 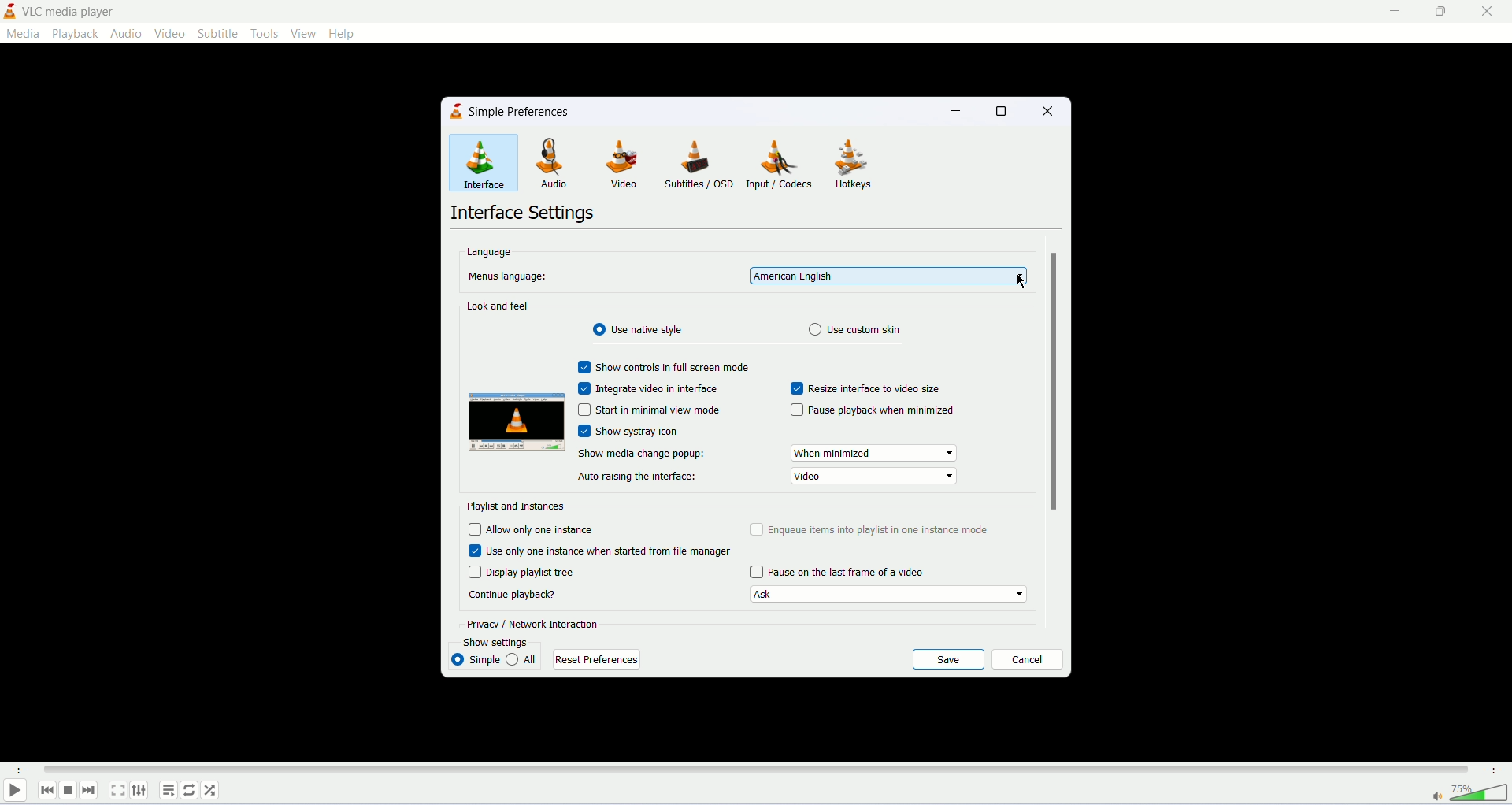 What do you see at coordinates (856, 329) in the screenshot?
I see `use custom skin` at bounding box center [856, 329].